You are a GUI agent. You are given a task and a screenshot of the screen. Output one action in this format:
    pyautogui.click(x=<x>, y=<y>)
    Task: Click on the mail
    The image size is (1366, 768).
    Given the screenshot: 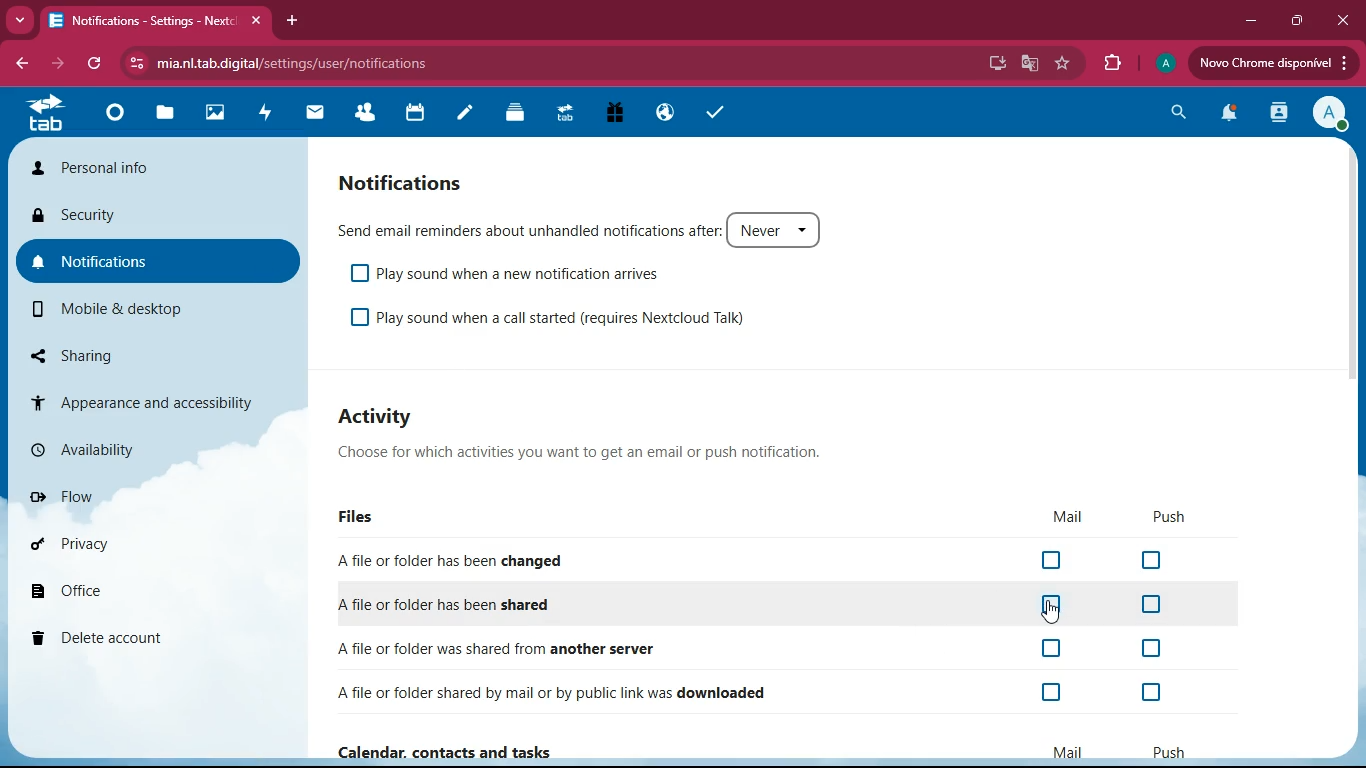 What is the action you would take?
    pyautogui.click(x=1056, y=516)
    